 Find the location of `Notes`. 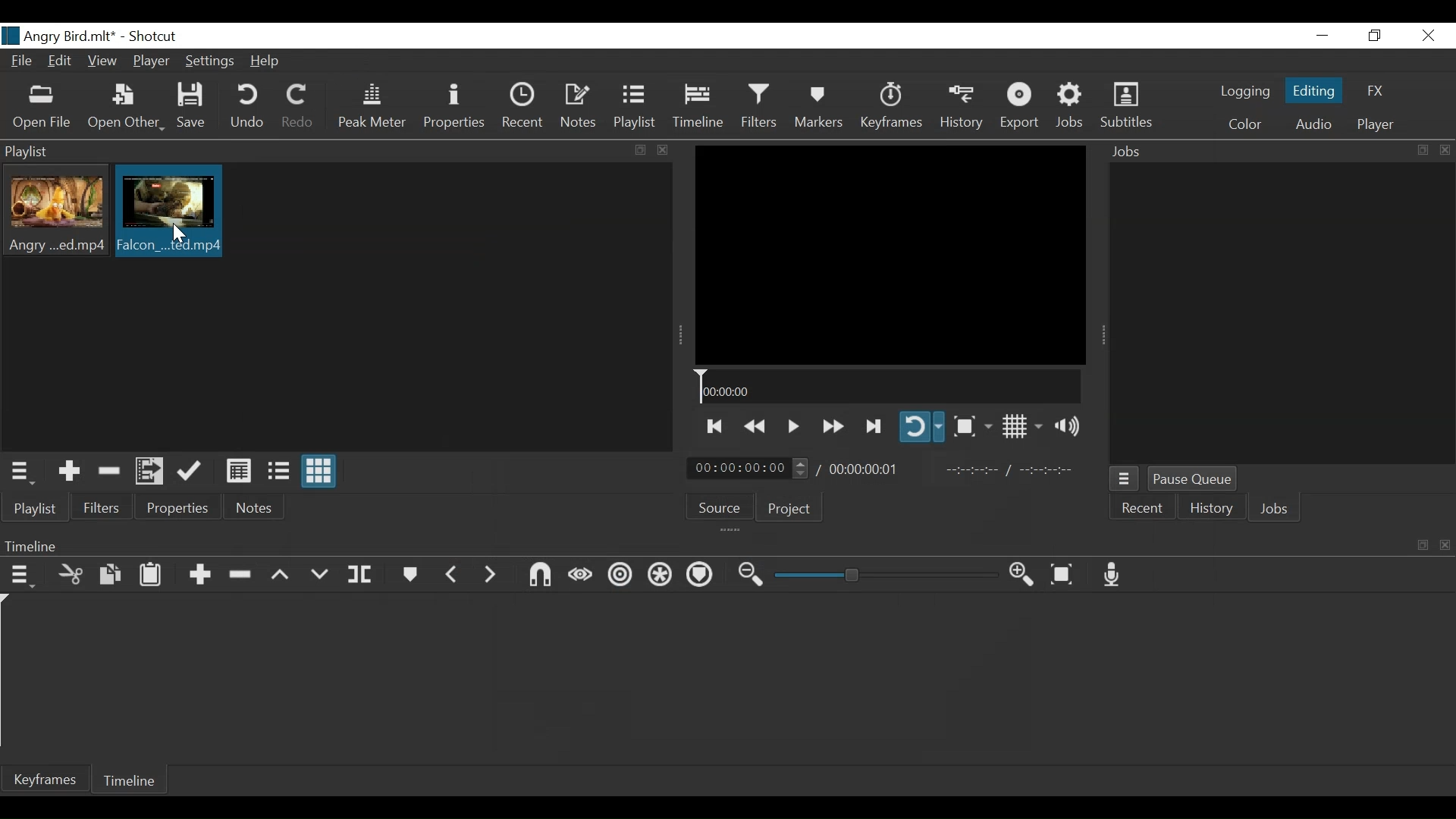

Notes is located at coordinates (256, 507).